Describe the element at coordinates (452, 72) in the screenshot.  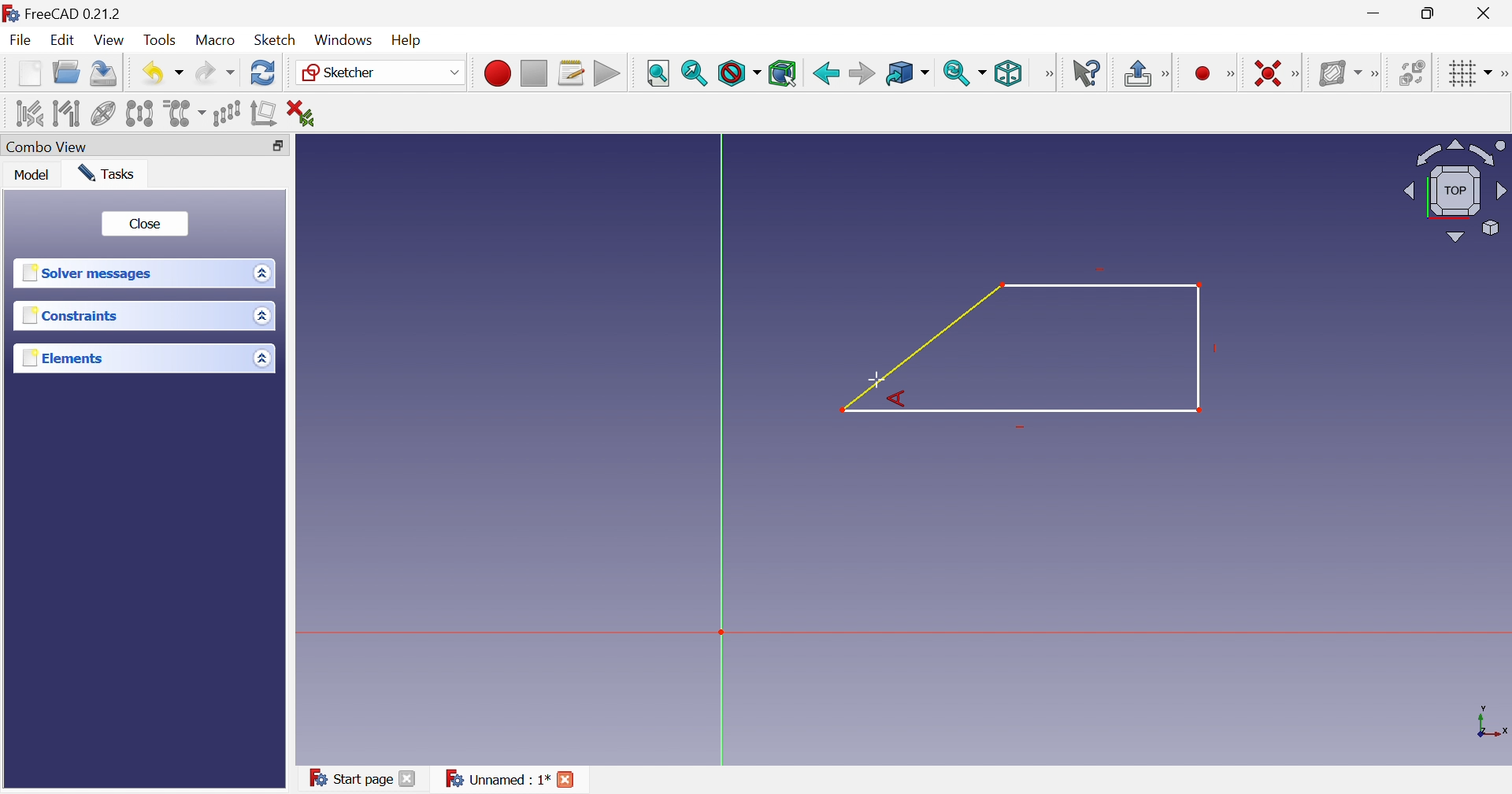
I see `Drop Down` at that location.